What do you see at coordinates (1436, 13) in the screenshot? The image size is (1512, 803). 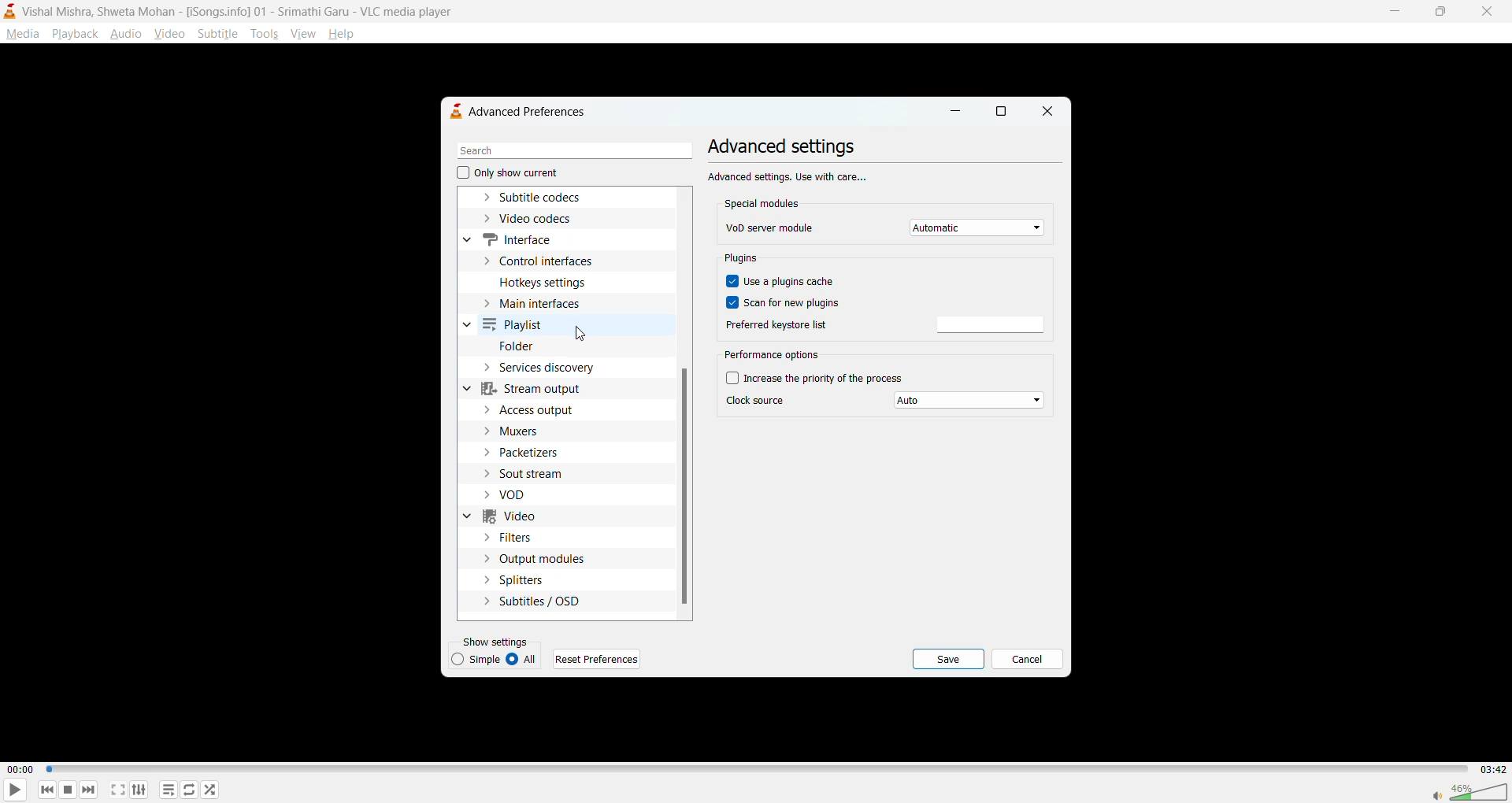 I see `maximize` at bounding box center [1436, 13].